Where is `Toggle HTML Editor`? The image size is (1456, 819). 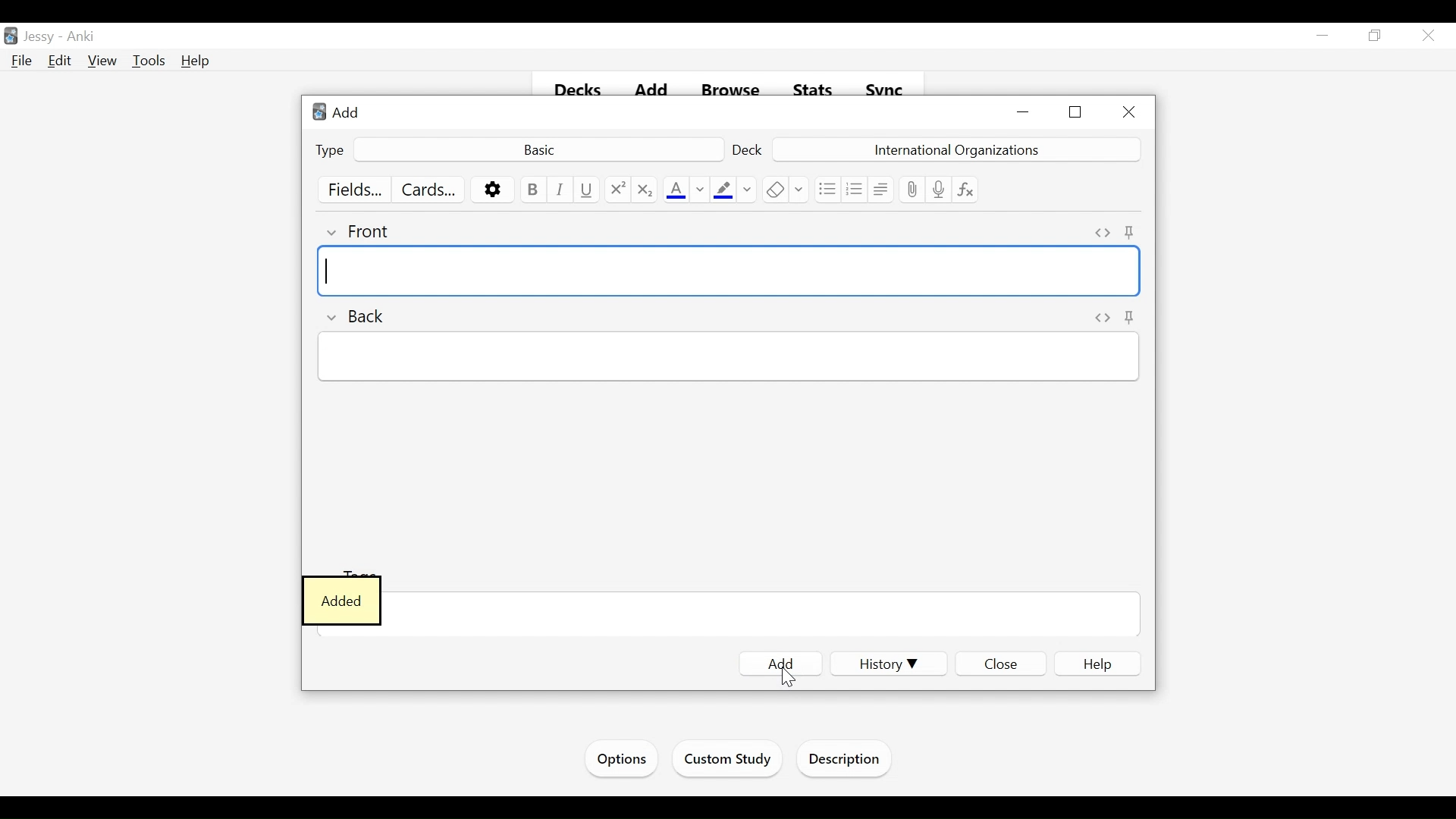 Toggle HTML Editor is located at coordinates (1102, 316).